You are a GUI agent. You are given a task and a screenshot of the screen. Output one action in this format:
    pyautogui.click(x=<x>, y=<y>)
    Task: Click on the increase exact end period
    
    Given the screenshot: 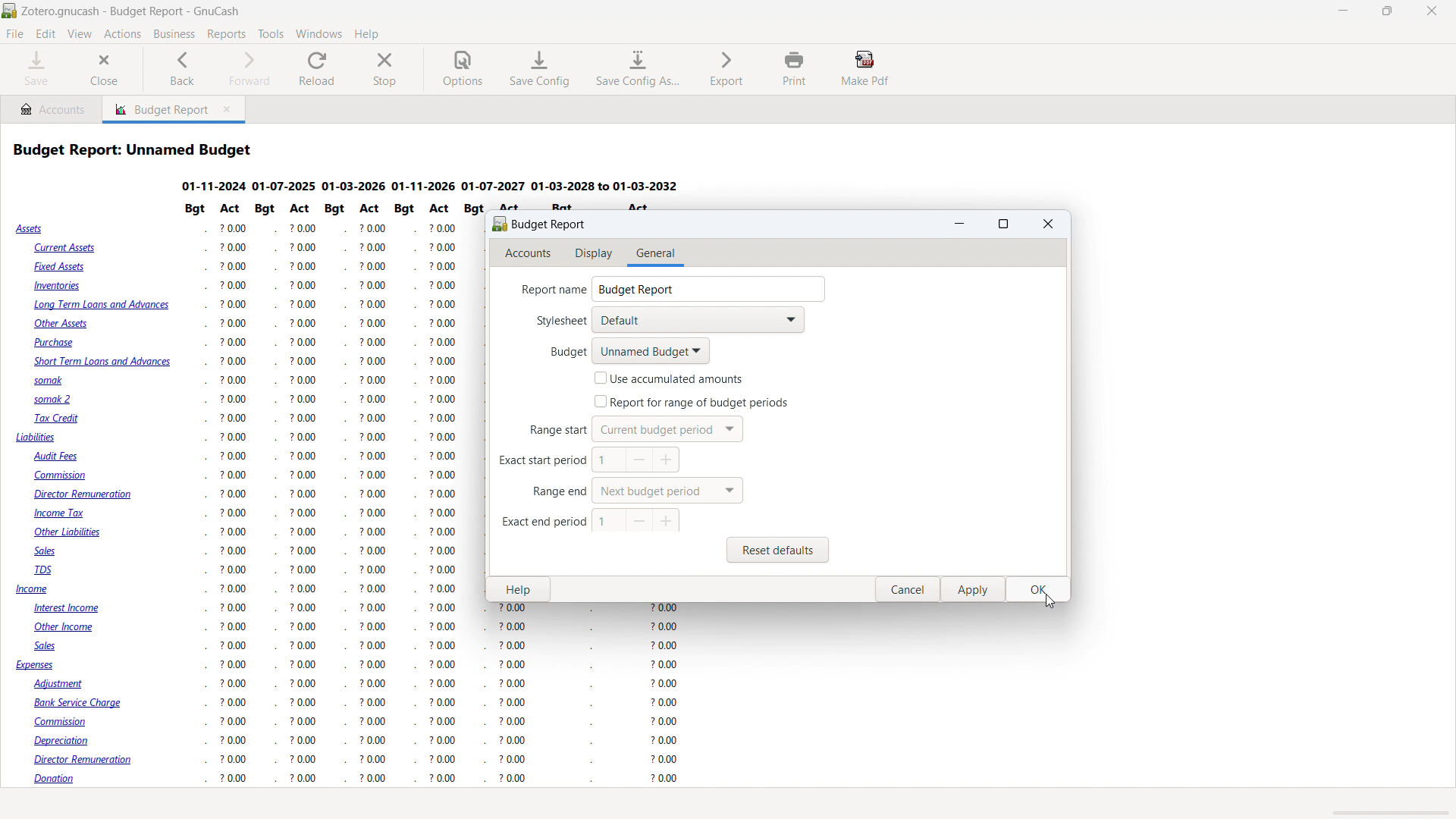 What is the action you would take?
    pyautogui.click(x=666, y=522)
    